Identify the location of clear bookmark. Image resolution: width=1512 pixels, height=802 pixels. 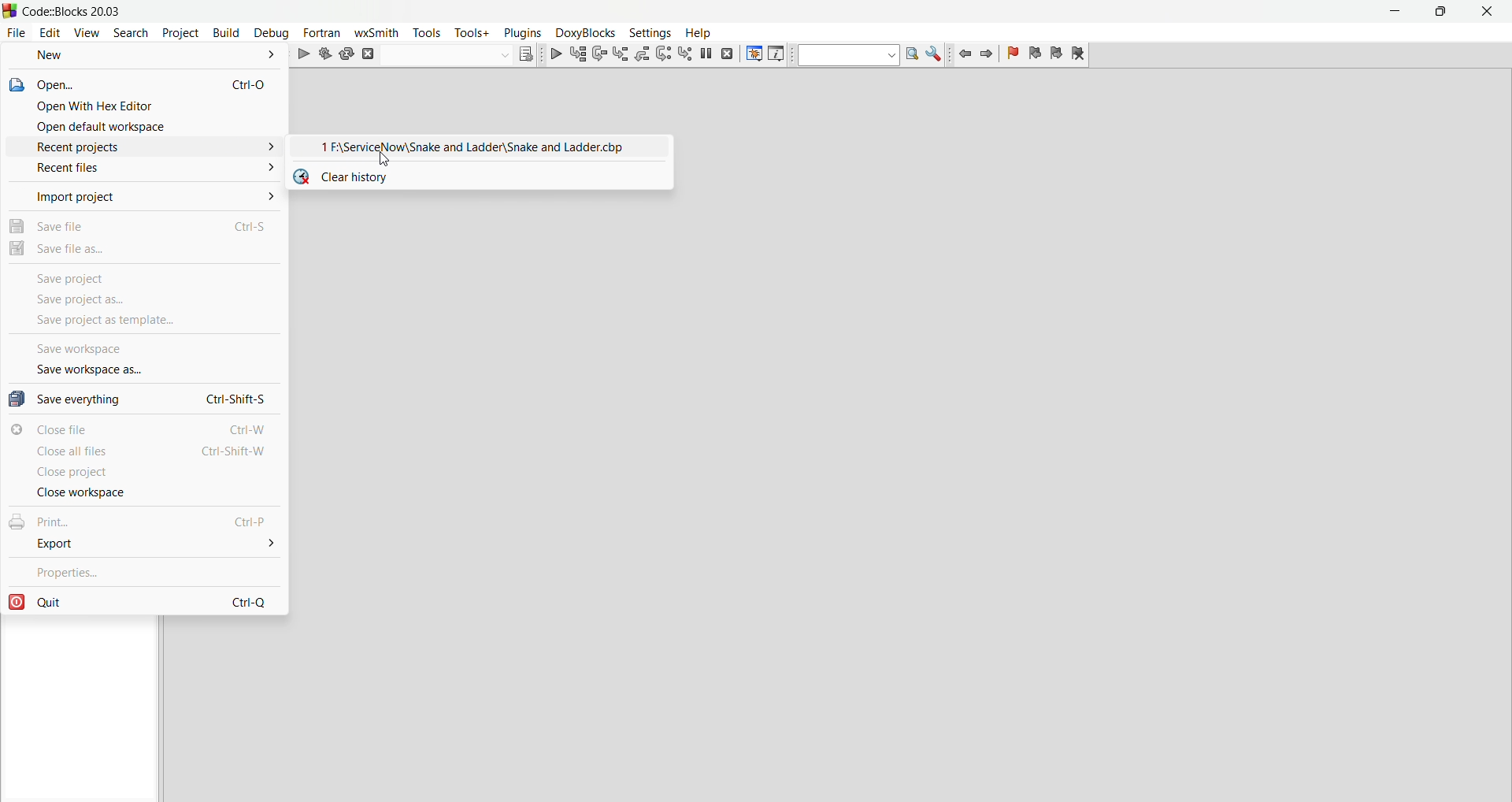
(1080, 54).